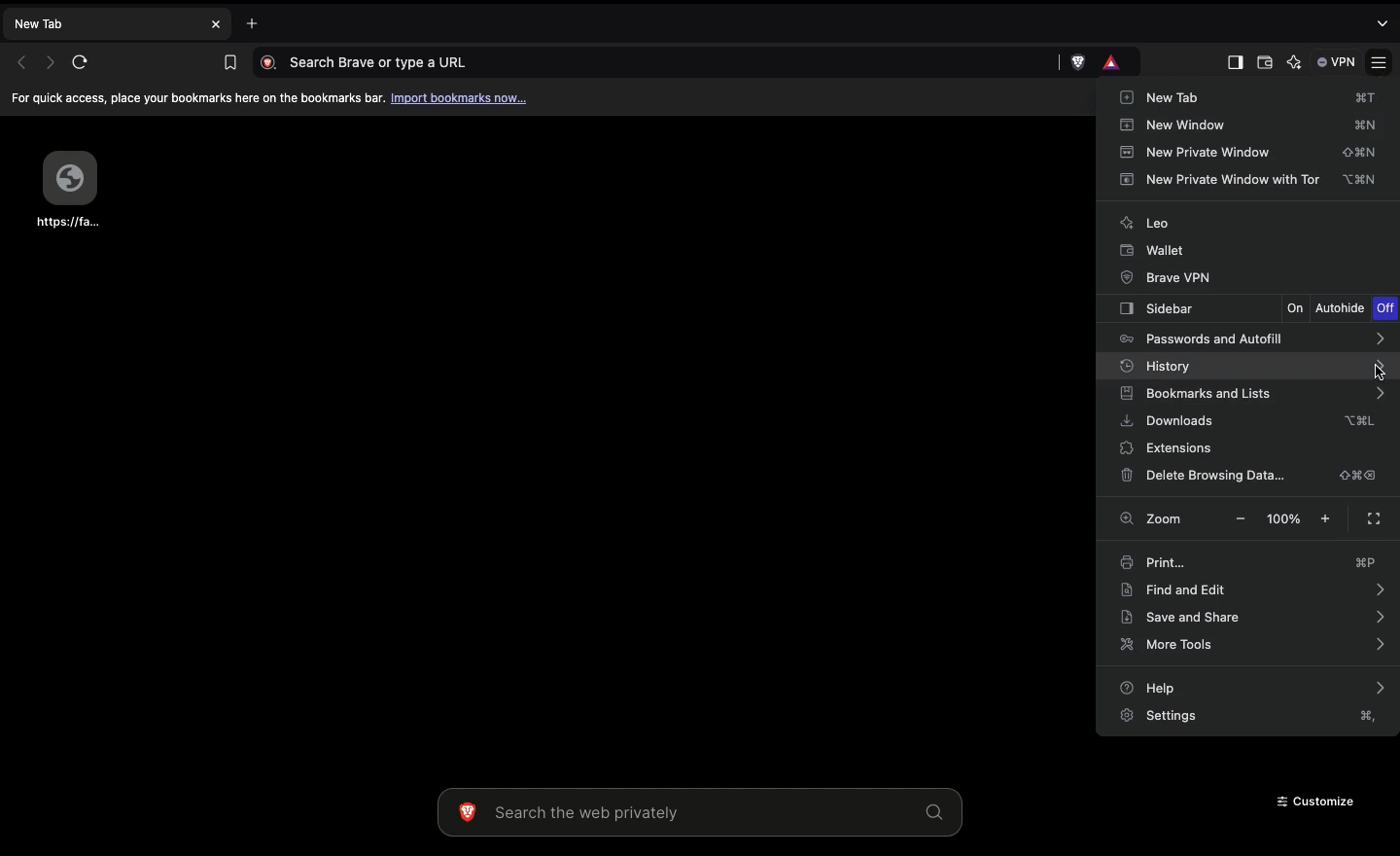 The image size is (1400, 856). I want to click on Downloads, so click(1238, 422).